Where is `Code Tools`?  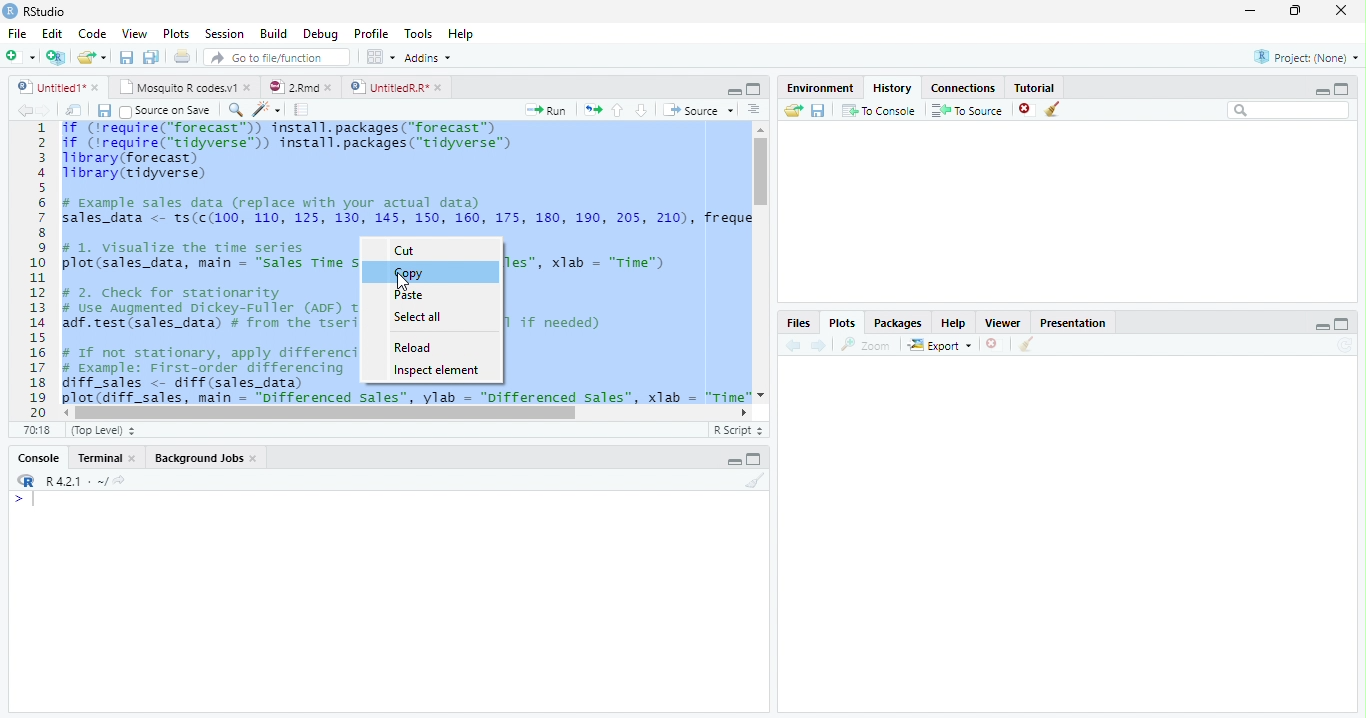 Code Tools is located at coordinates (263, 109).